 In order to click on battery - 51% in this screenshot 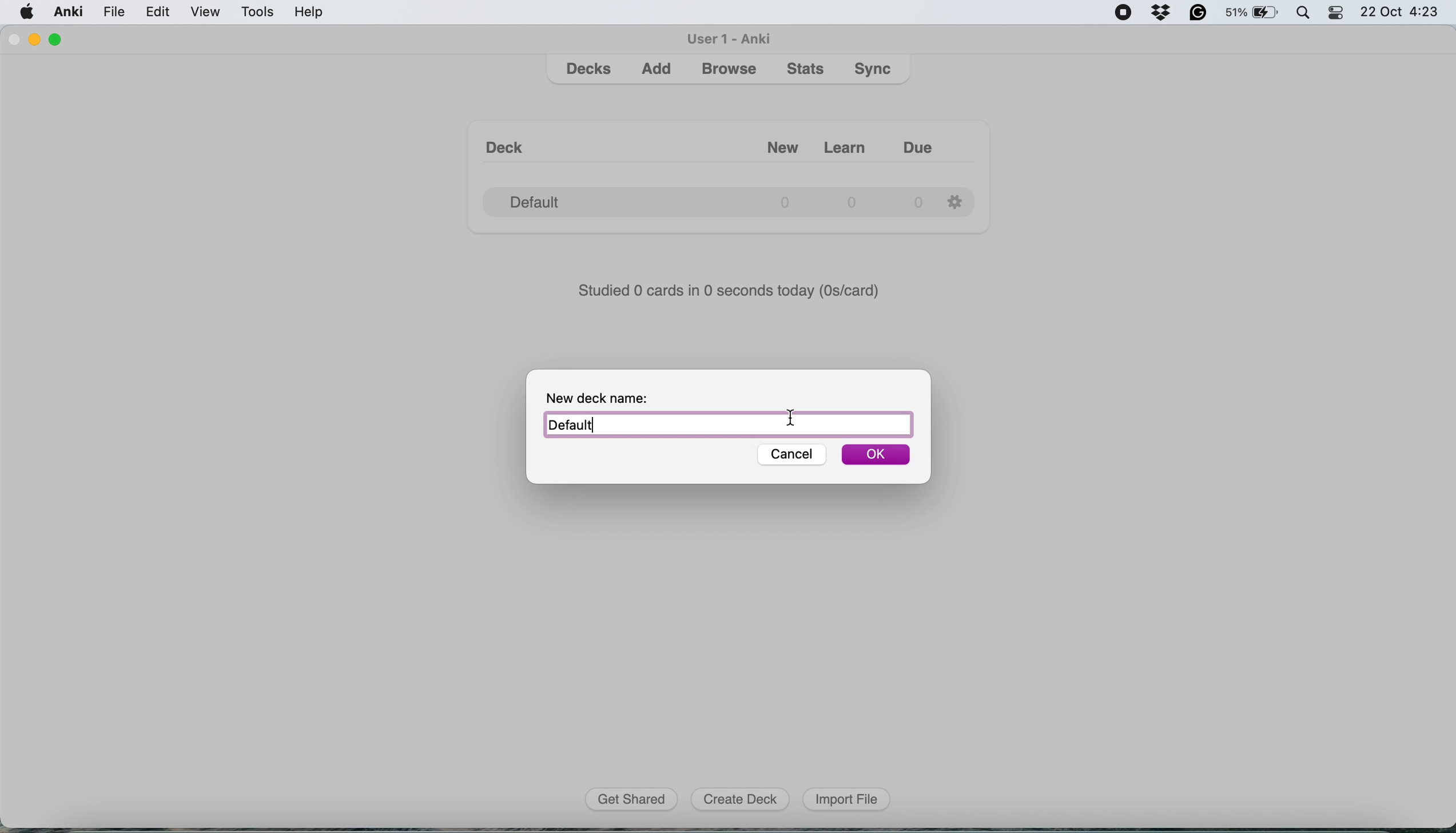, I will do `click(1251, 14)`.